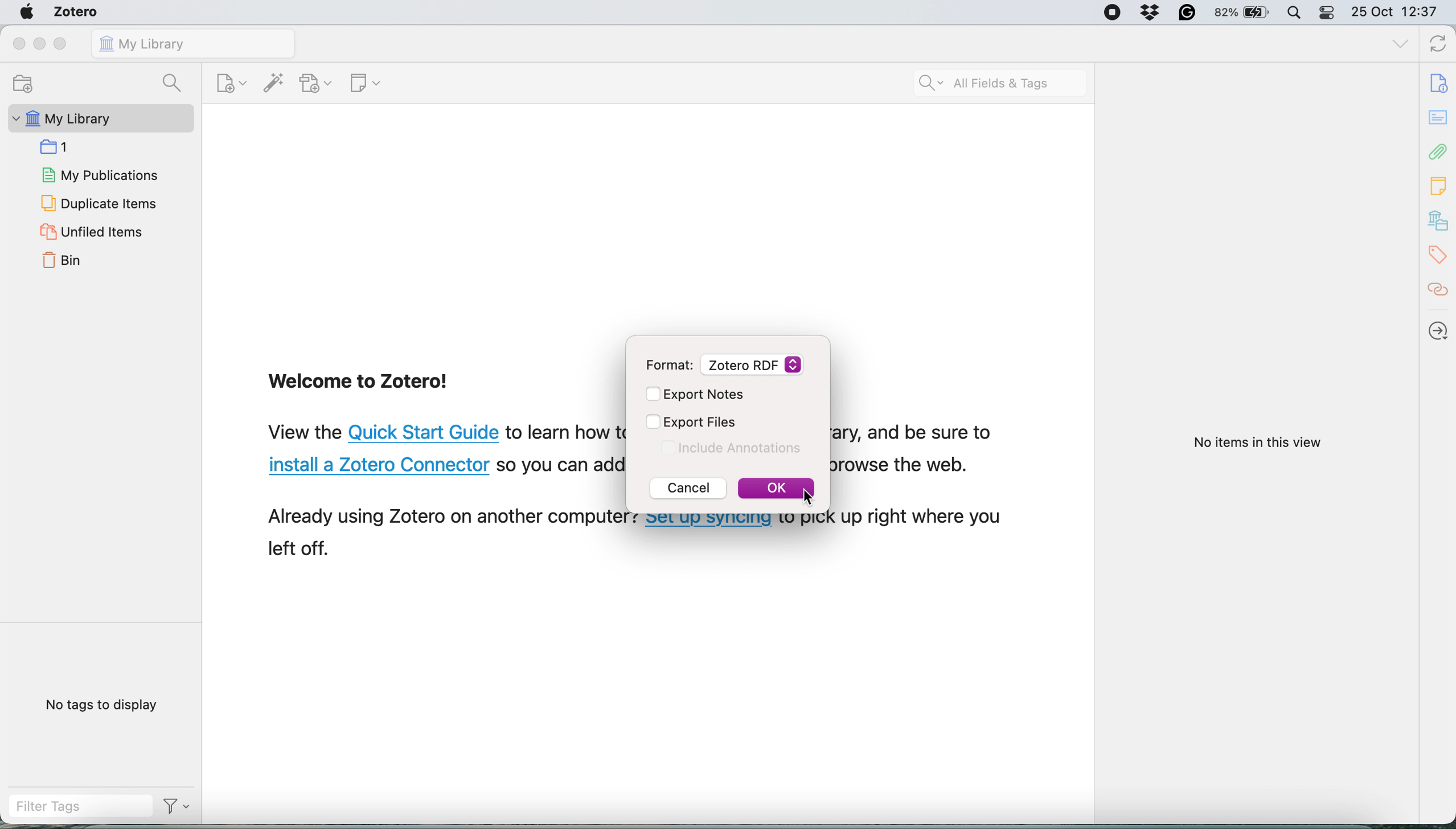 The width and height of the screenshot is (1456, 829). I want to click on add attachment, so click(318, 83).